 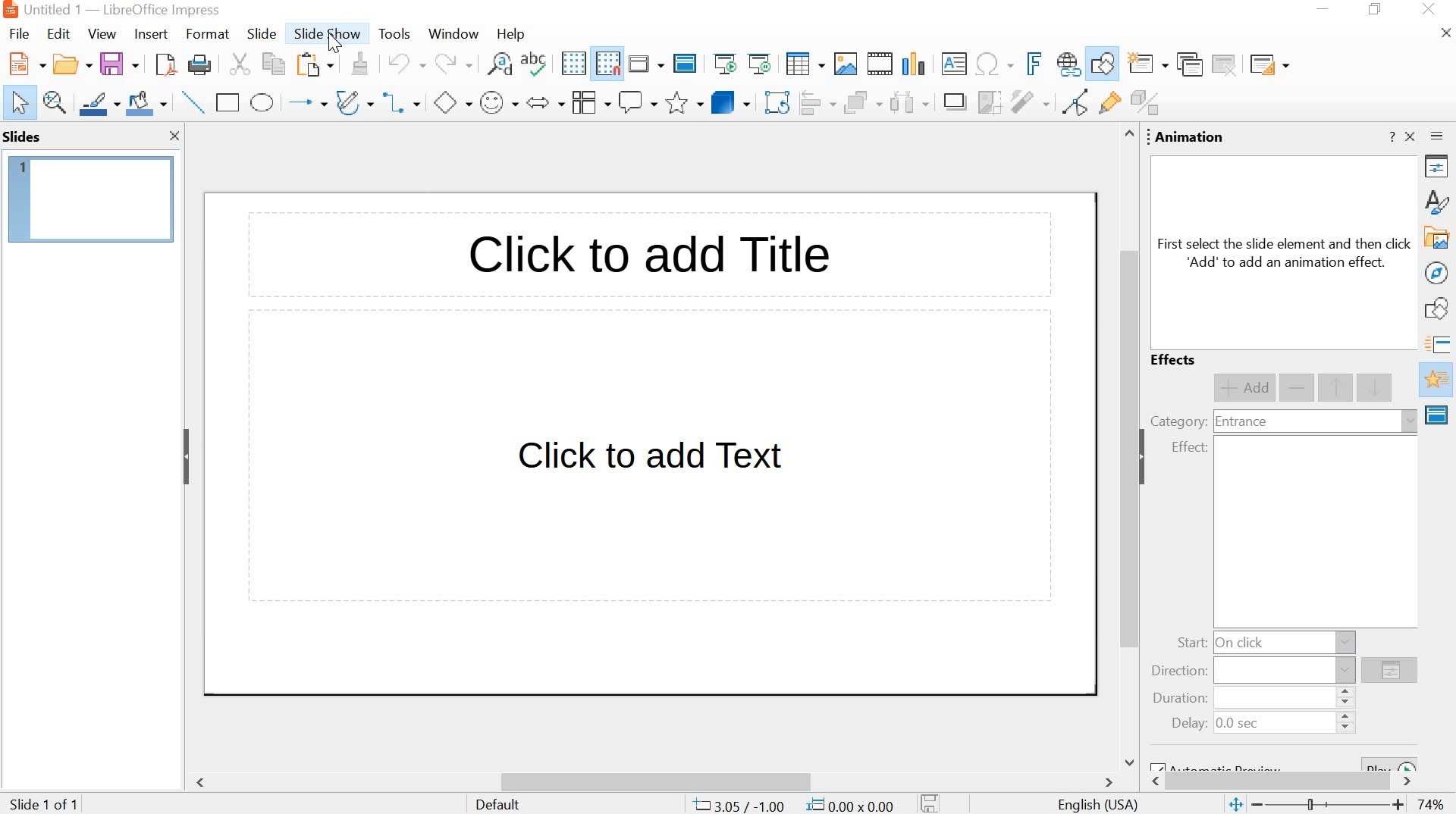 What do you see at coordinates (1439, 139) in the screenshot?
I see `sidebar settings` at bounding box center [1439, 139].